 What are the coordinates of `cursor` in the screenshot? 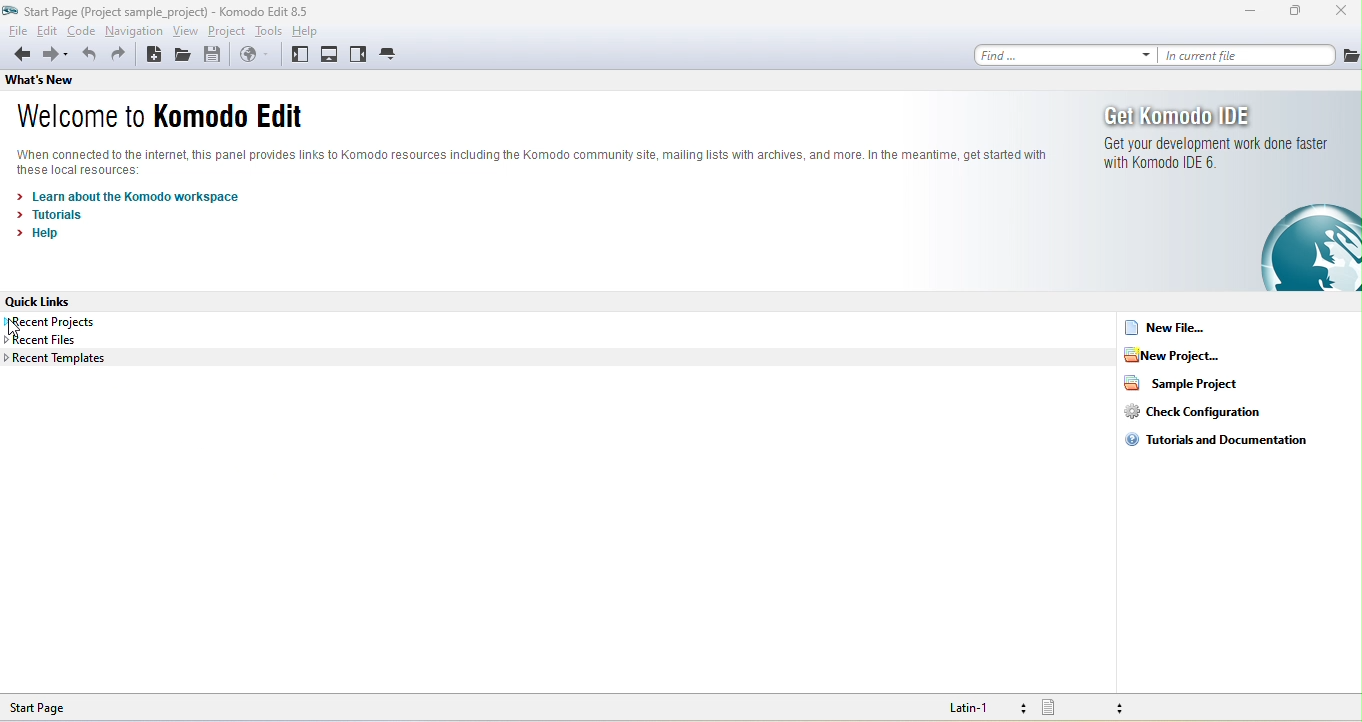 It's located at (18, 330).